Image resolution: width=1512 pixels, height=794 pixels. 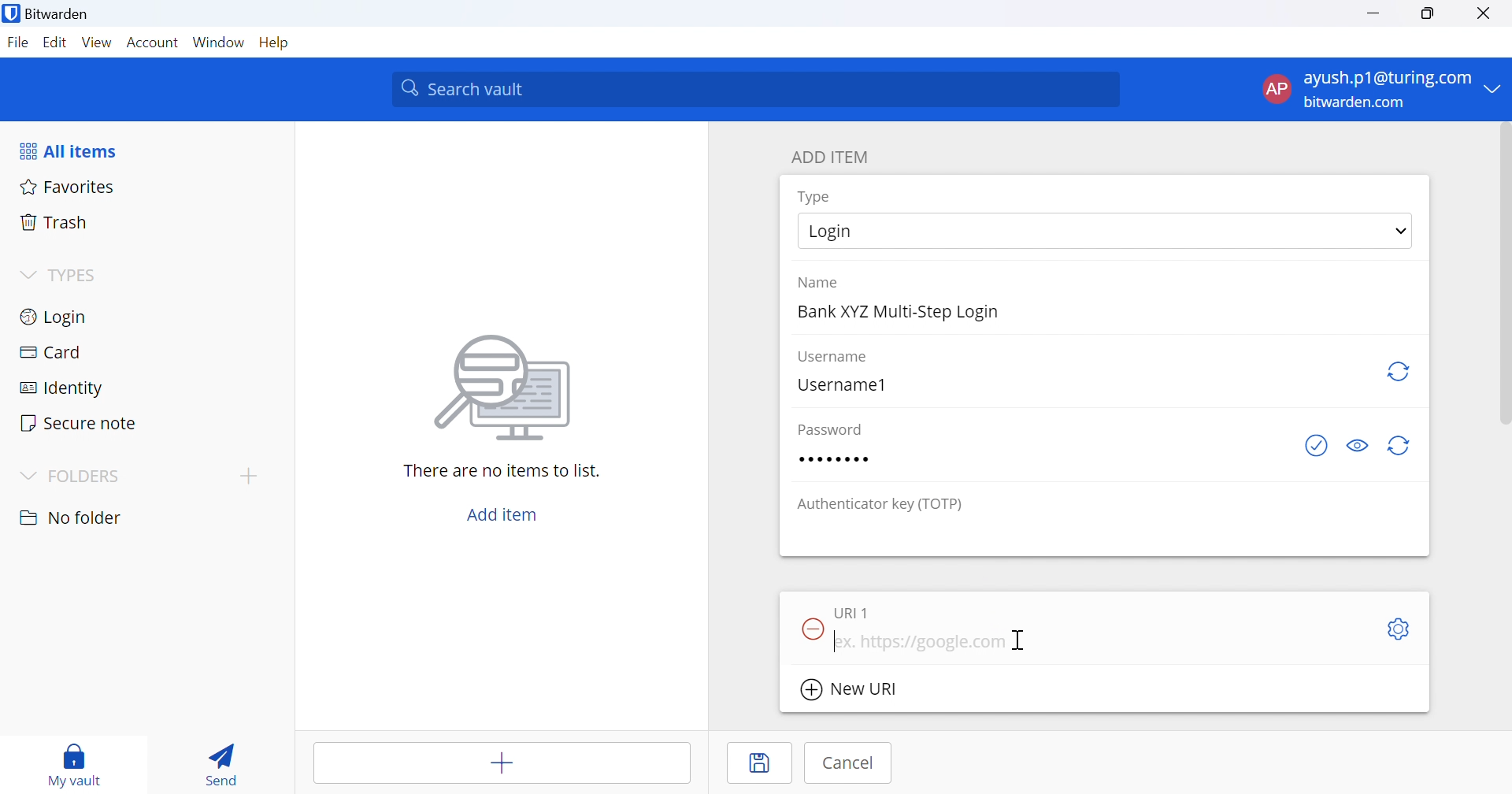 What do you see at coordinates (252, 476) in the screenshot?
I see `add folder` at bounding box center [252, 476].